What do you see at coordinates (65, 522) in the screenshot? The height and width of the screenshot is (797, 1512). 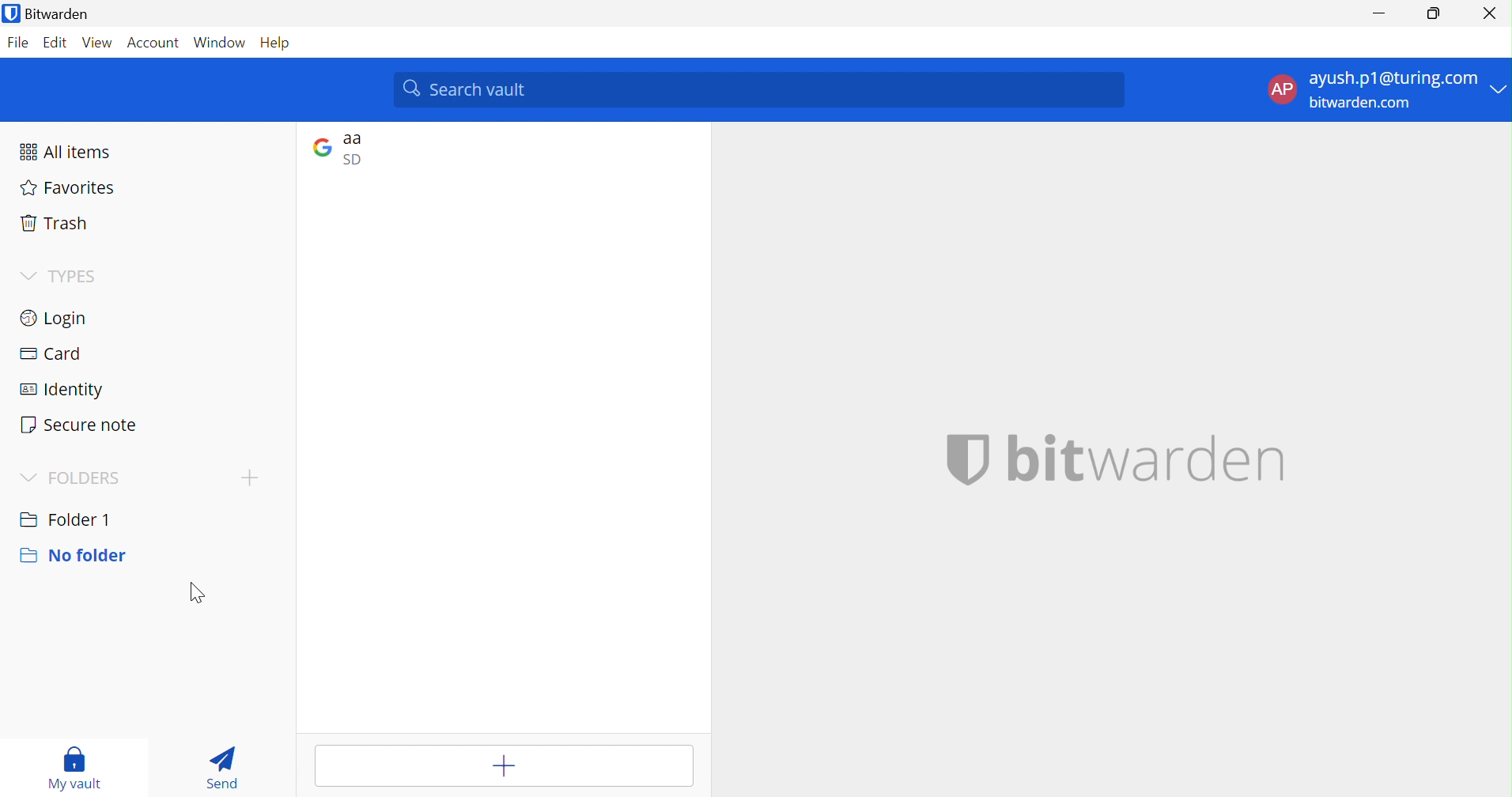 I see `Folder 1` at bounding box center [65, 522].